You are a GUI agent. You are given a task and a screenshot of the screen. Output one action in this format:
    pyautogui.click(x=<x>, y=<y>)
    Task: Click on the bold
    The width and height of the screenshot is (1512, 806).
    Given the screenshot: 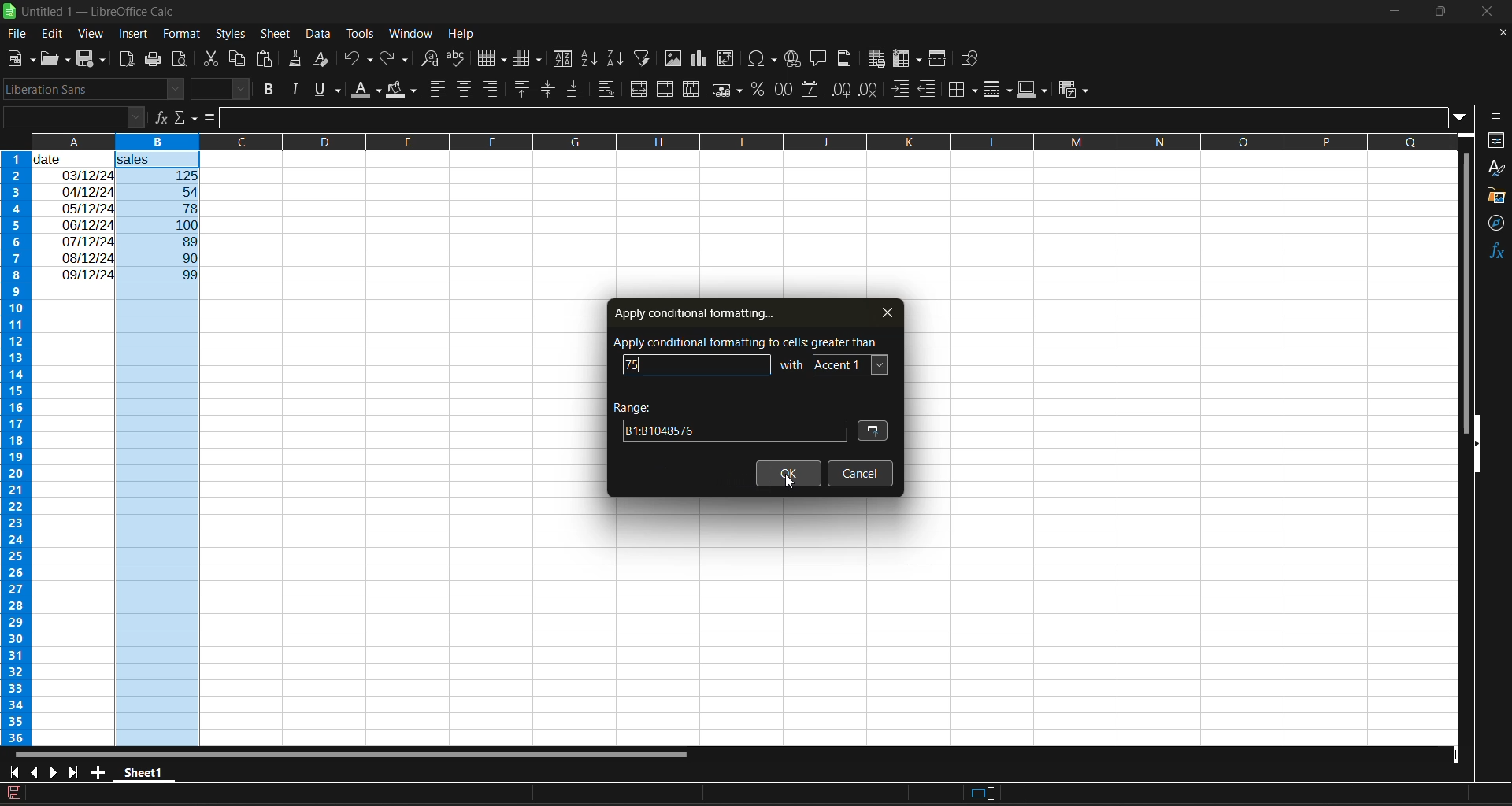 What is the action you would take?
    pyautogui.click(x=272, y=89)
    